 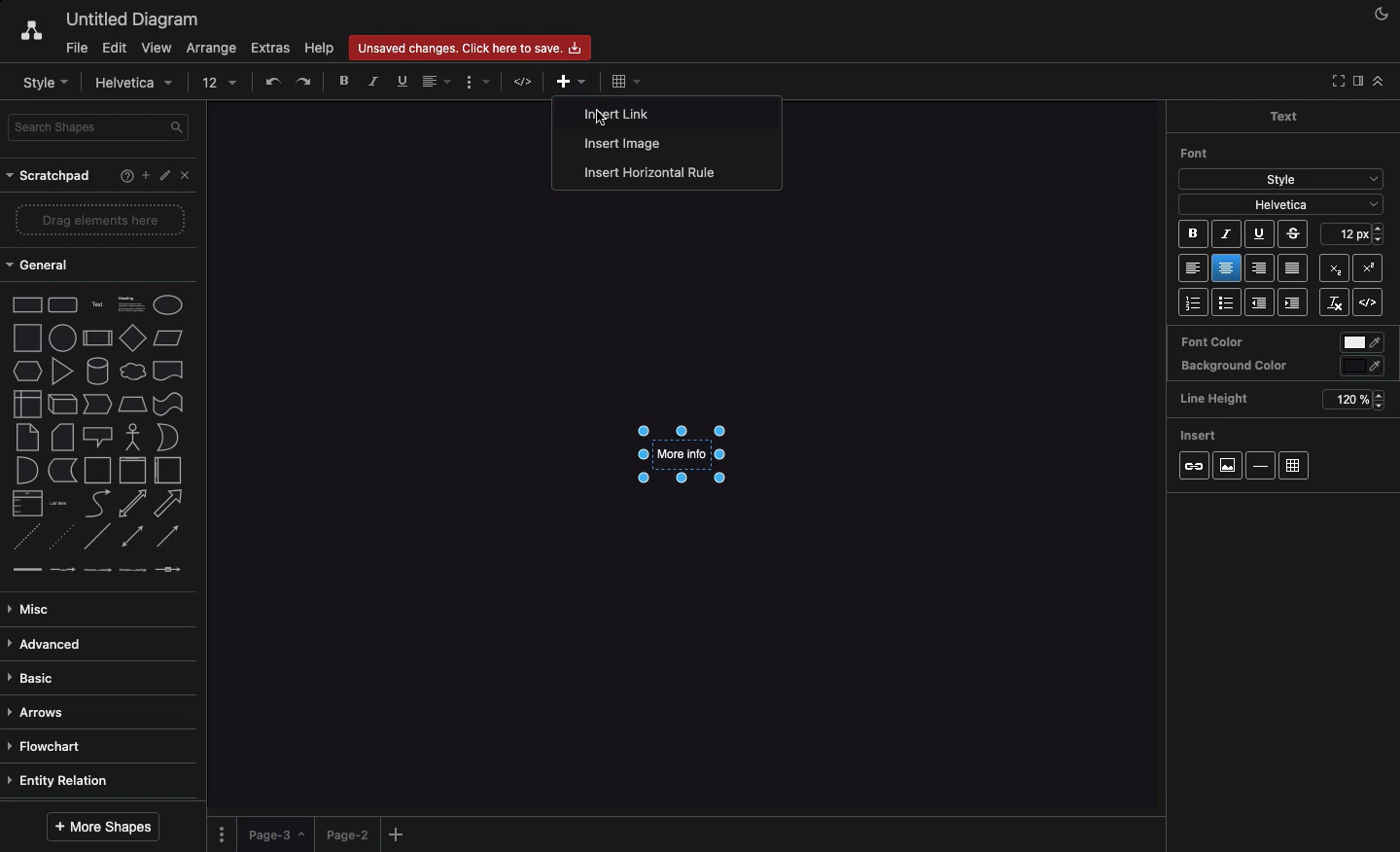 What do you see at coordinates (97, 536) in the screenshot?
I see `Line` at bounding box center [97, 536].